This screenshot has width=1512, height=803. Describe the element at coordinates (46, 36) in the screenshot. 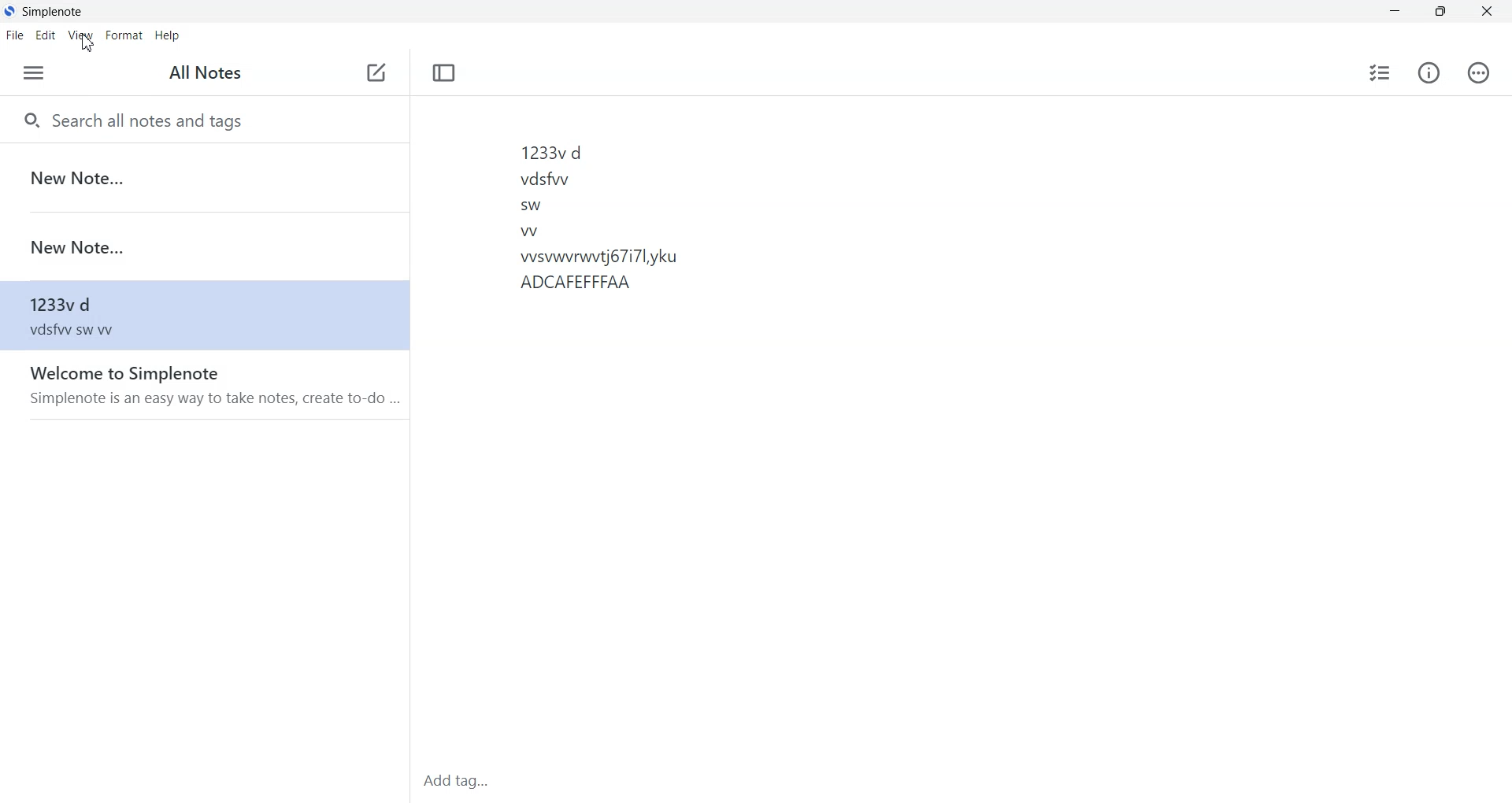

I see `Edit` at that location.